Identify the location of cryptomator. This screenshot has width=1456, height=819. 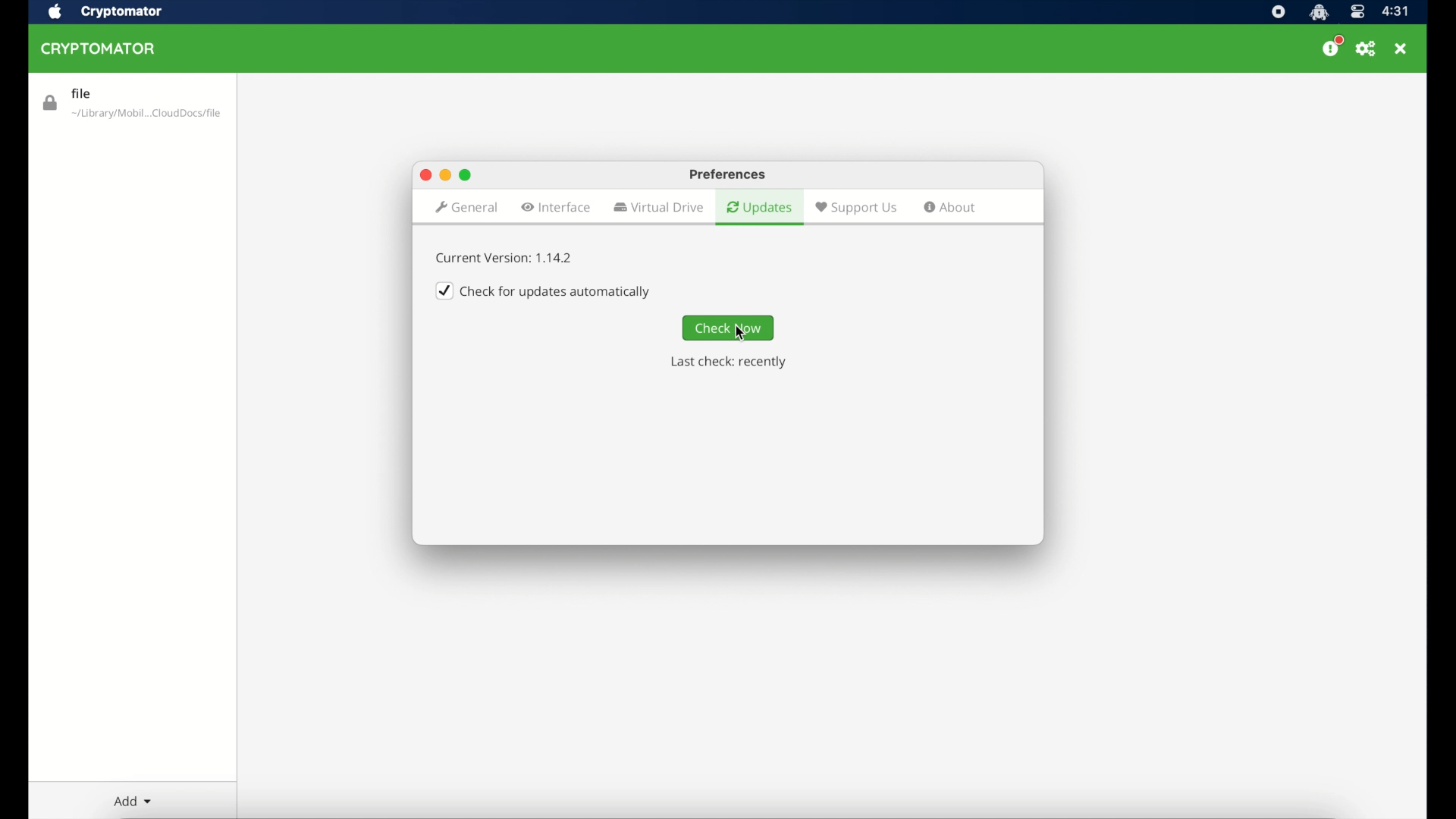
(99, 49).